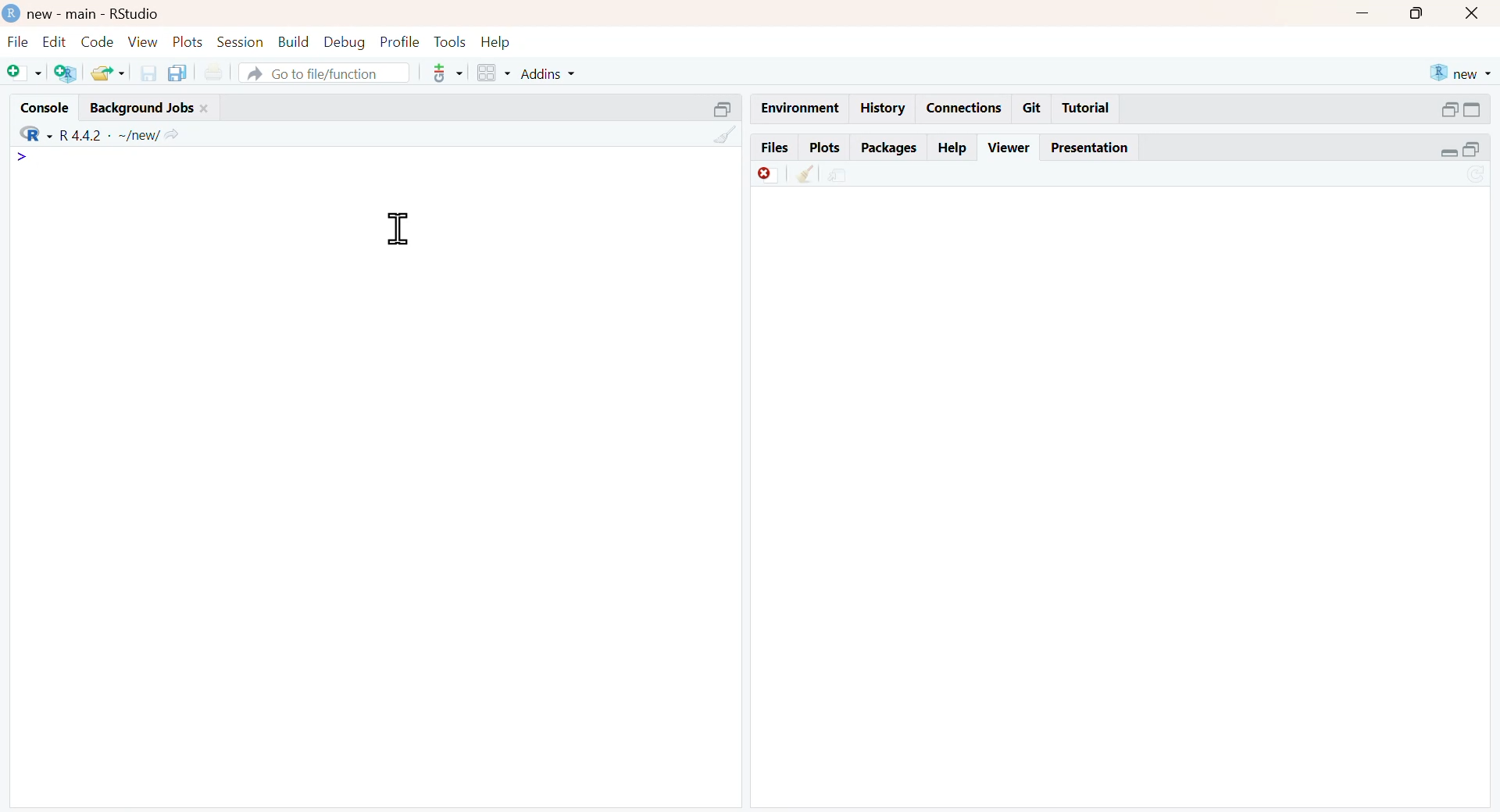  Describe the element at coordinates (716, 136) in the screenshot. I see `clear console` at that location.